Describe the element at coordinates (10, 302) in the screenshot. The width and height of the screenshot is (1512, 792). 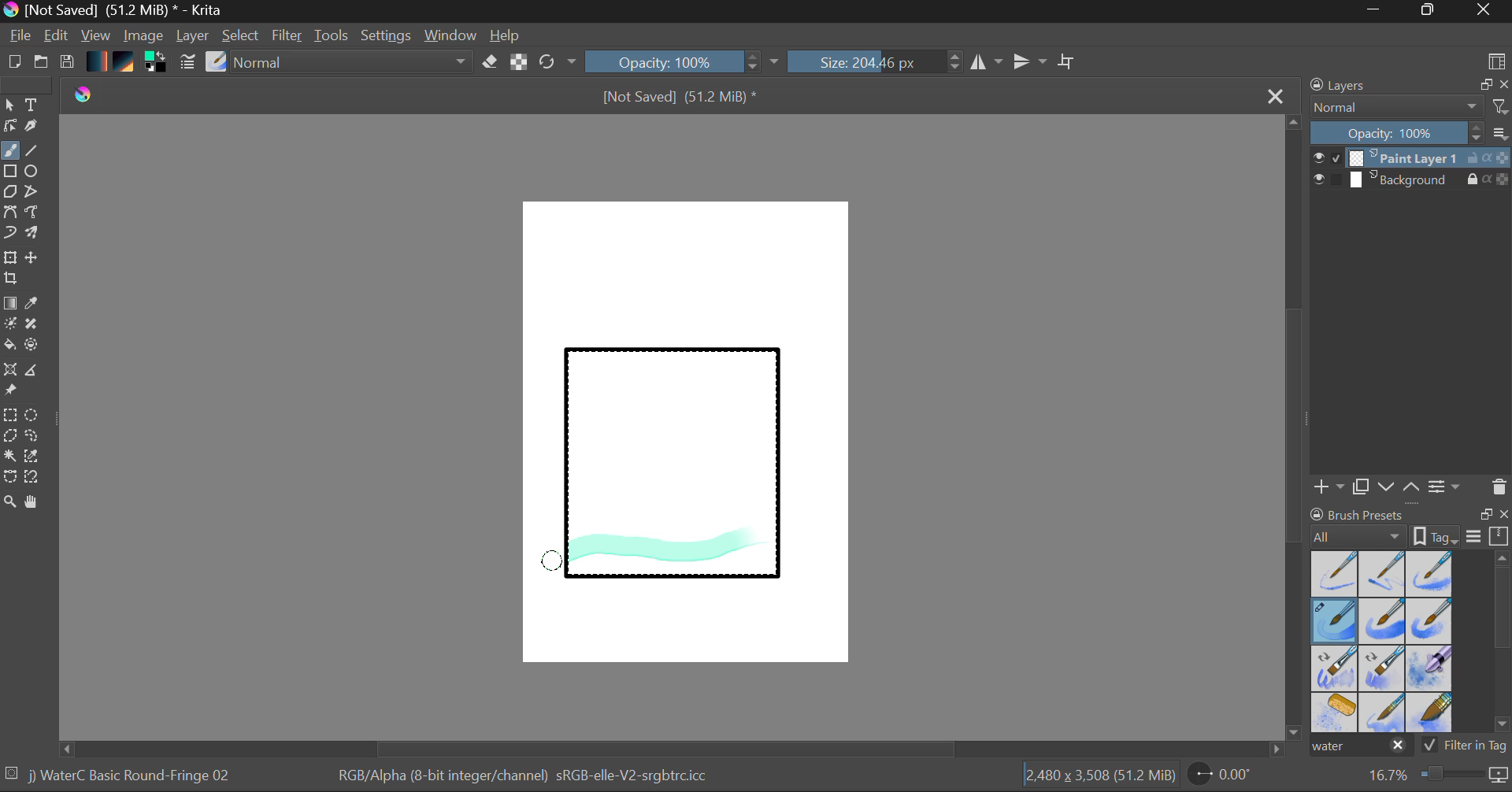
I see `Fill Gradient` at that location.